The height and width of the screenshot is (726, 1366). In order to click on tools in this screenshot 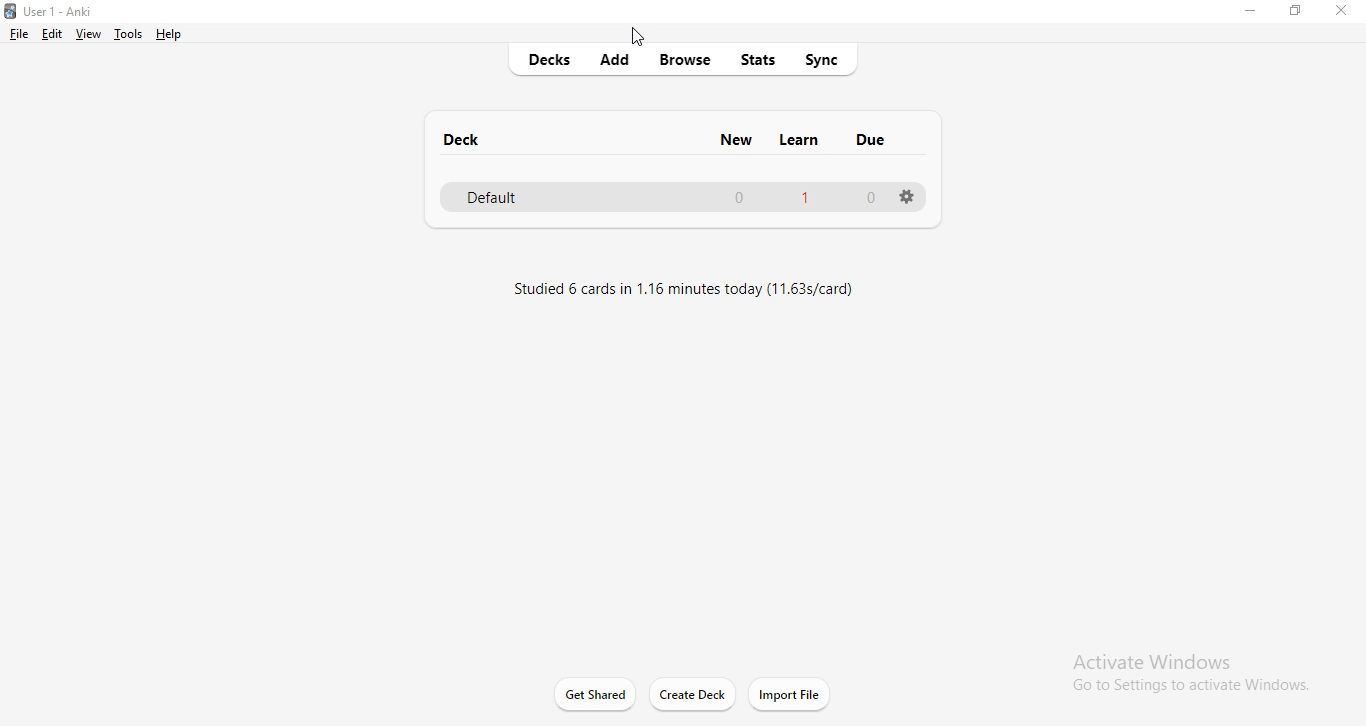, I will do `click(128, 36)`.